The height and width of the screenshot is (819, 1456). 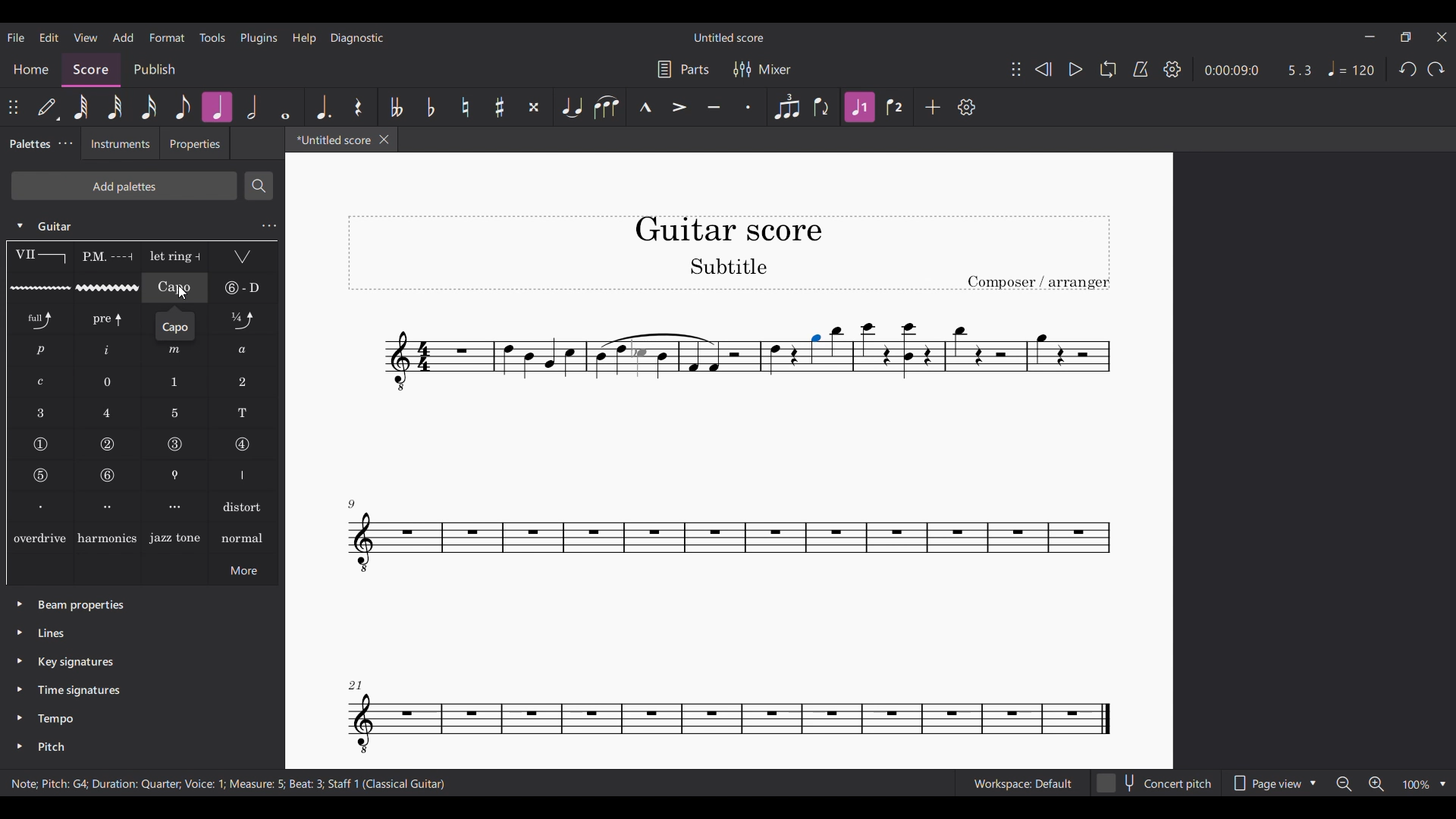 I want to click on Accent, so click(x=679, y=107).